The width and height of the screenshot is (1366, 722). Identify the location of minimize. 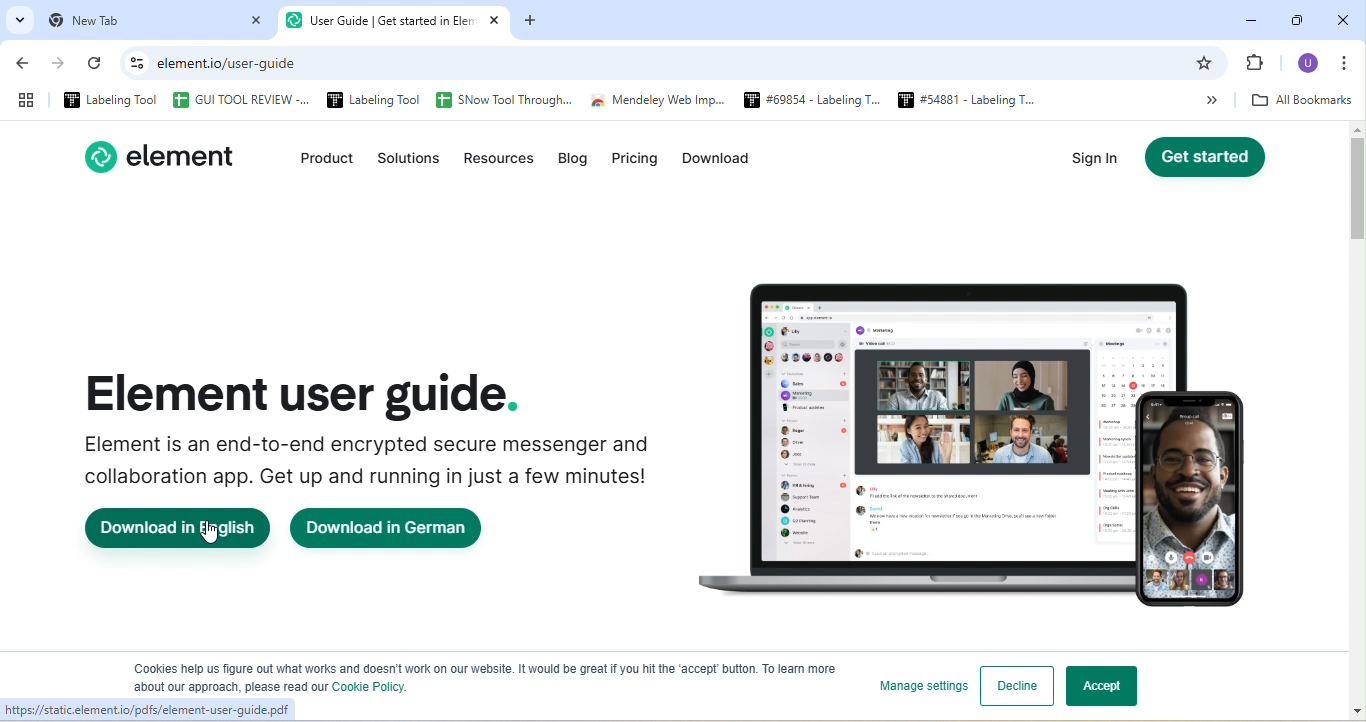
(1253, 16).